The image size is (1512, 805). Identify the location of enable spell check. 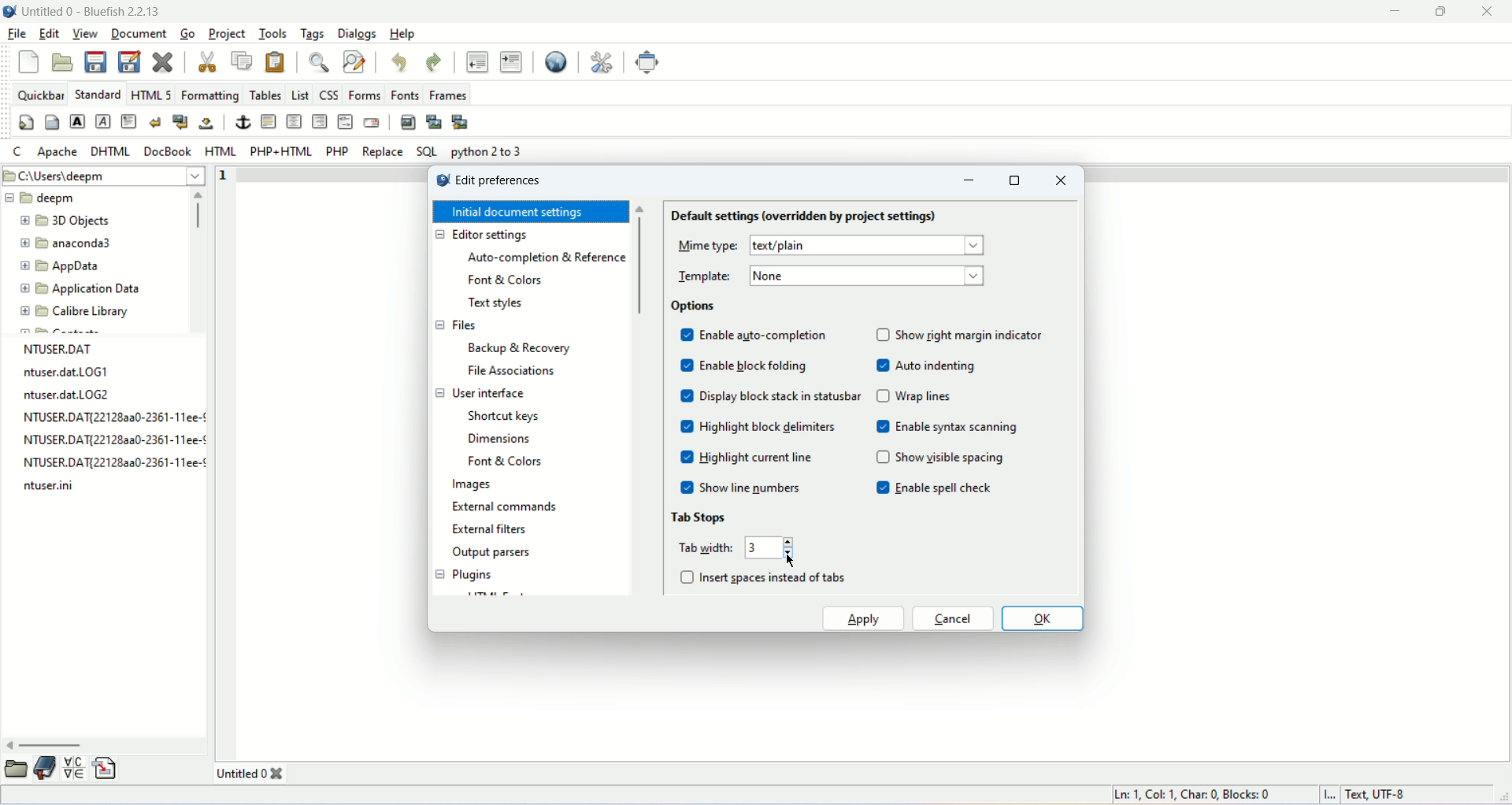
(947, 491).